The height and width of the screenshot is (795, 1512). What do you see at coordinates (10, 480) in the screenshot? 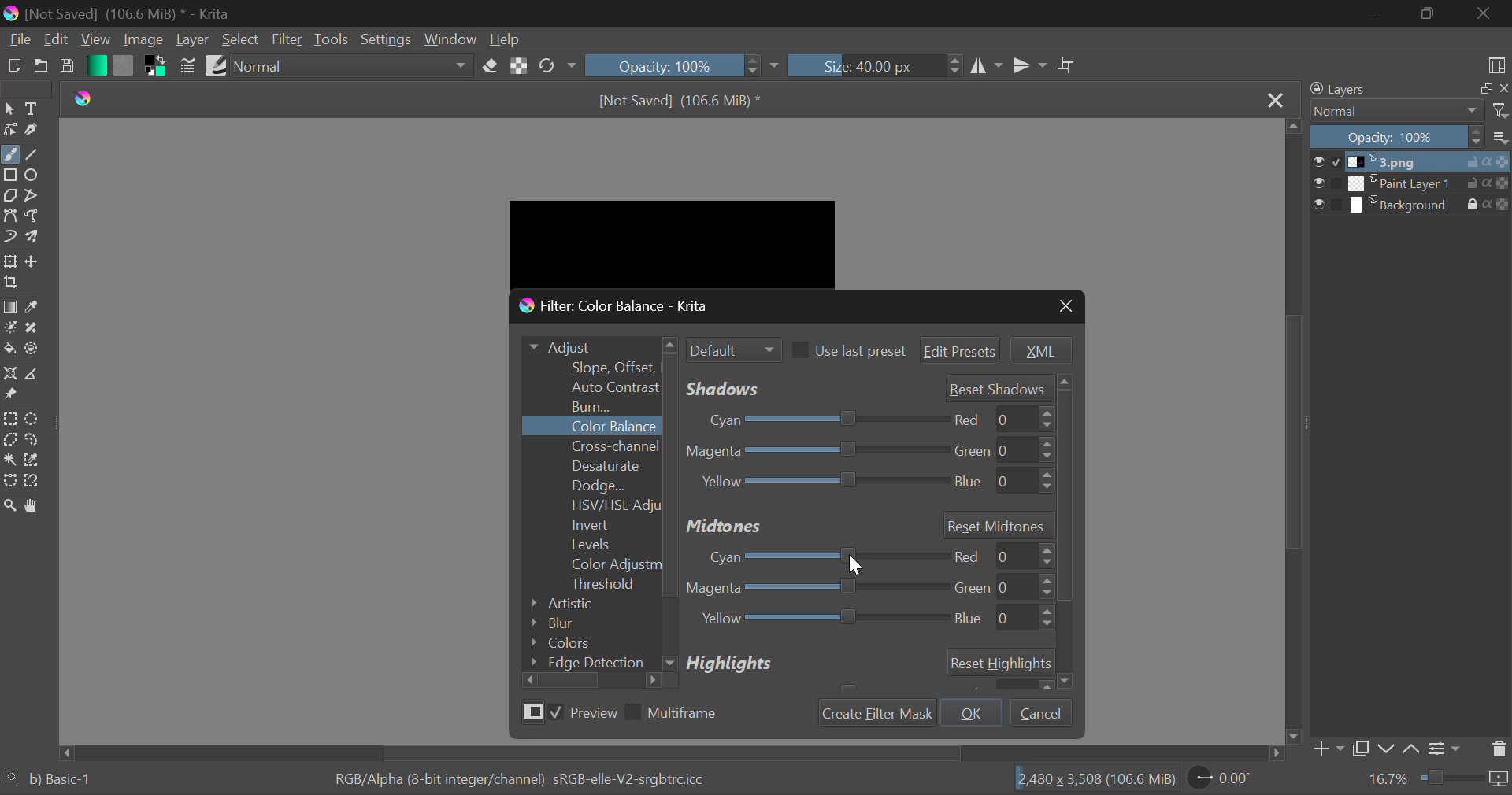
I see `Bezier Curve Selection` at bounding box center [10, 480].